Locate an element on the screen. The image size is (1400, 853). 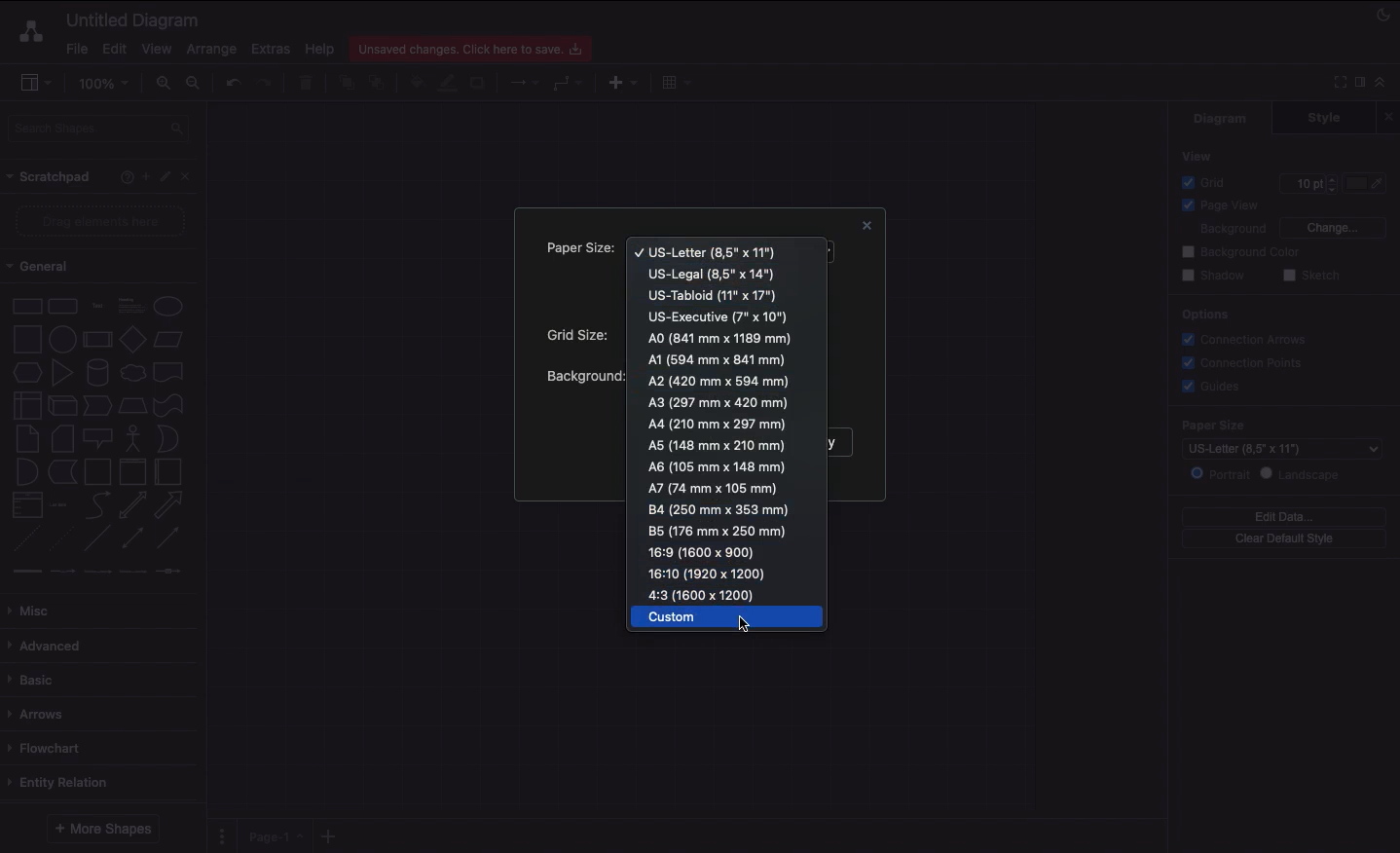
Vertical container is located at coordinates (133, 470).